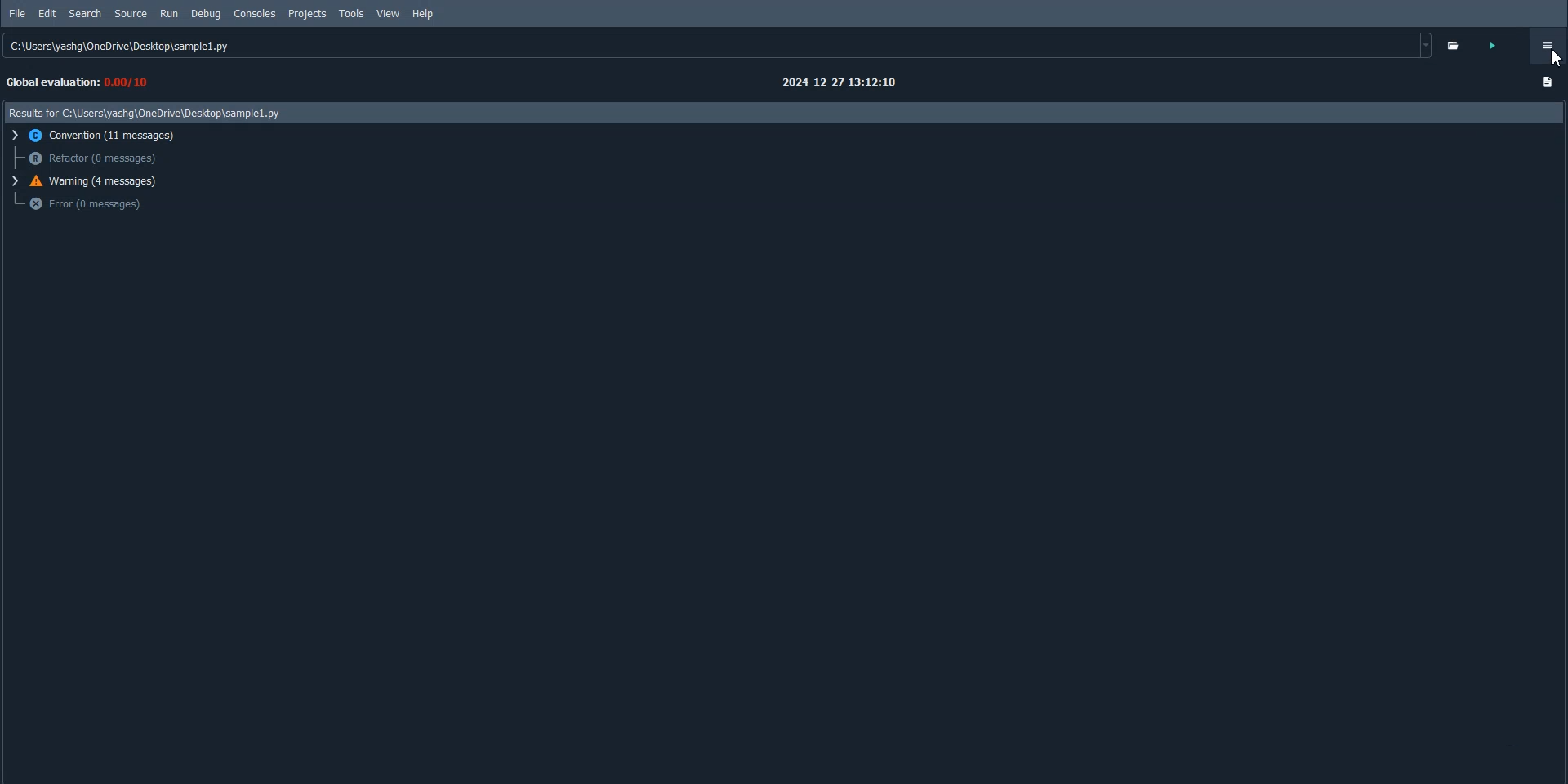 Image resolution: width=1568 pixels, height=784 pixels. I want to click on Help, so click(423, 15).